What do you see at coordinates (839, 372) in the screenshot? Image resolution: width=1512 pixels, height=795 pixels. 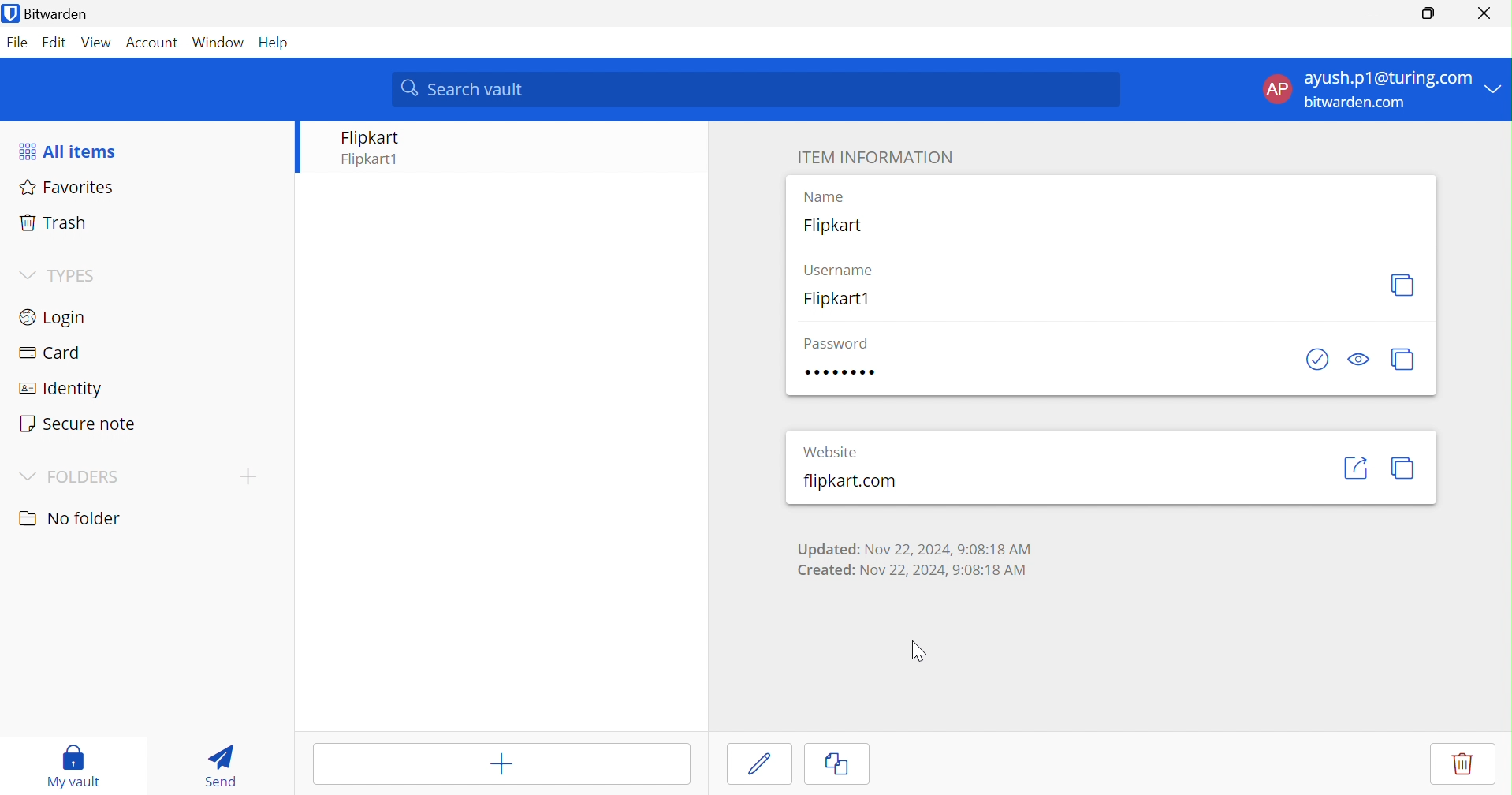 I see `Password` at bounding box center [839, 372].